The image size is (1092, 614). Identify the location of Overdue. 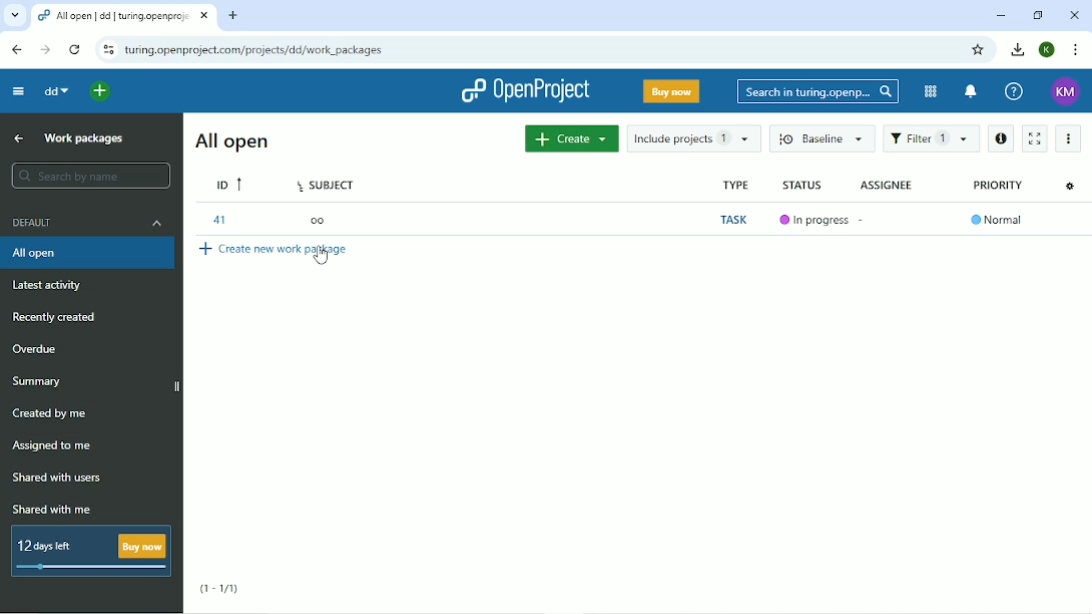
(34, 347).